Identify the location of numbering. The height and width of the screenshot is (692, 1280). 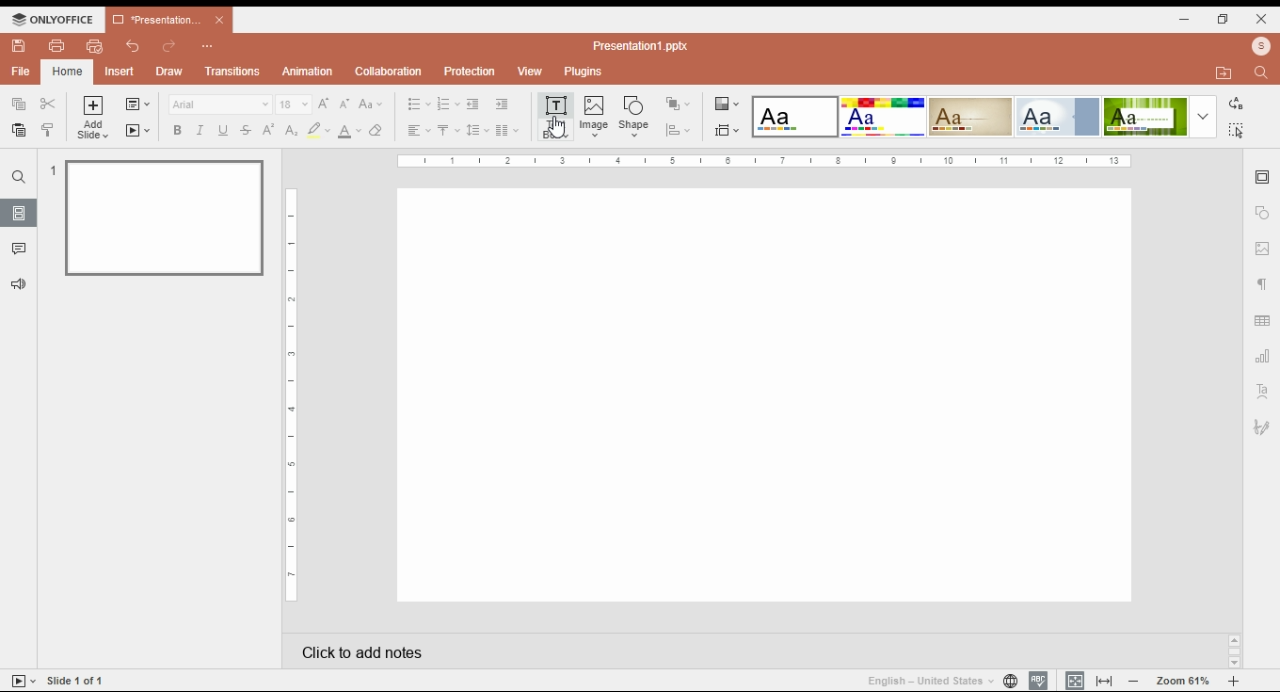
(448, 104).